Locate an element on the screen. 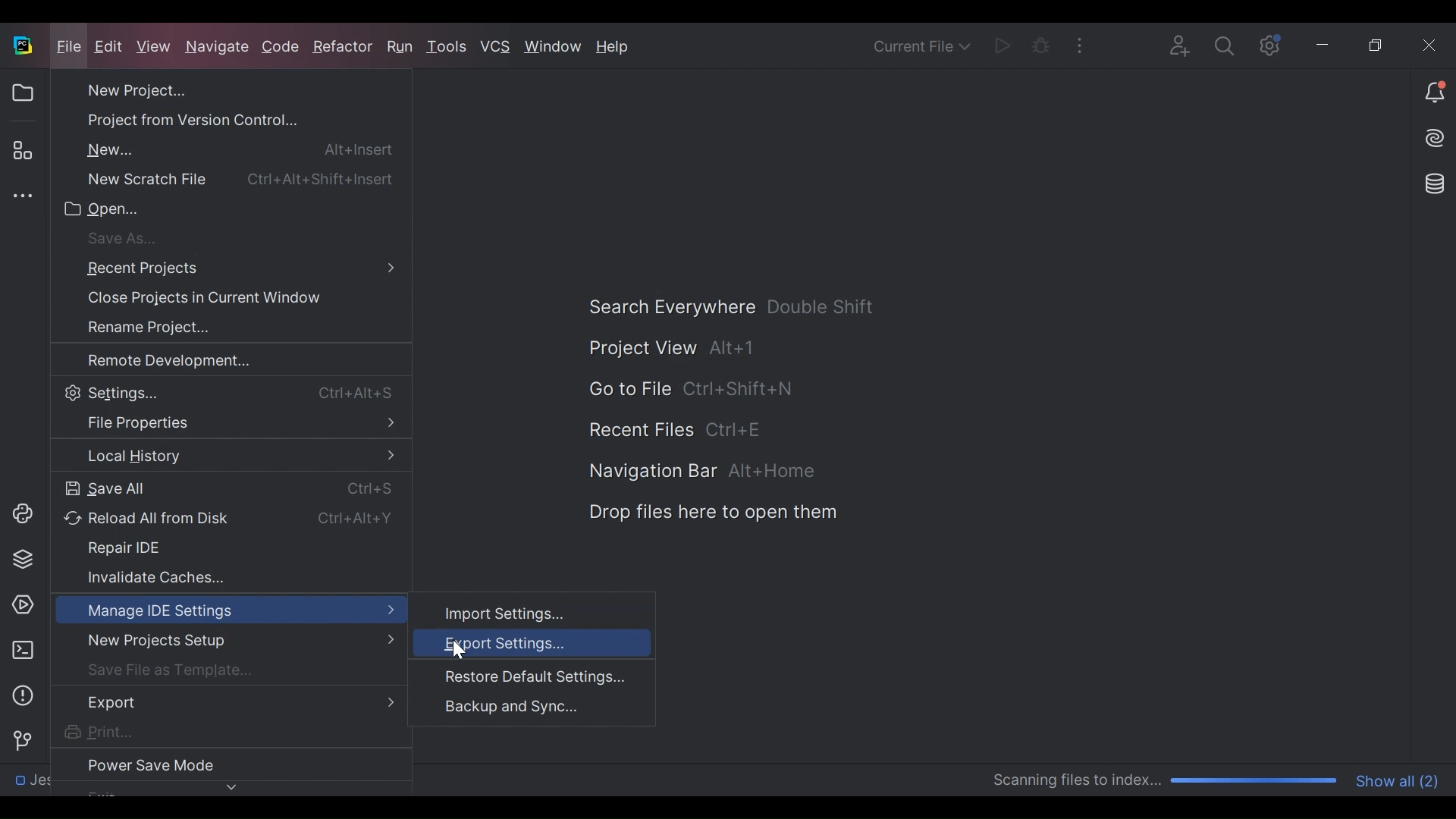  Directory is located at coordinates (74, 783).